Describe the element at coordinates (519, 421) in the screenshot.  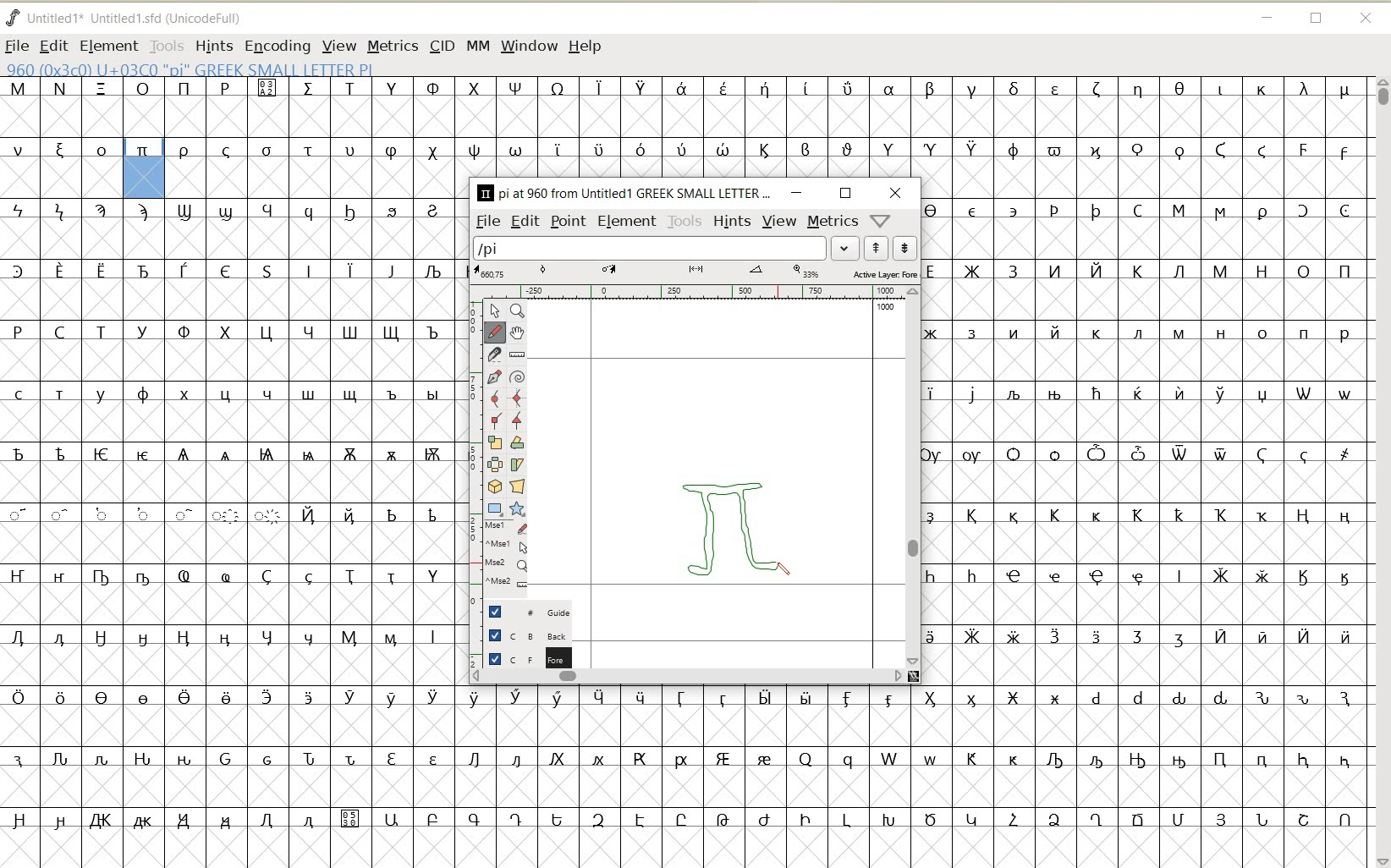
I see `Add a corner point` at that location.